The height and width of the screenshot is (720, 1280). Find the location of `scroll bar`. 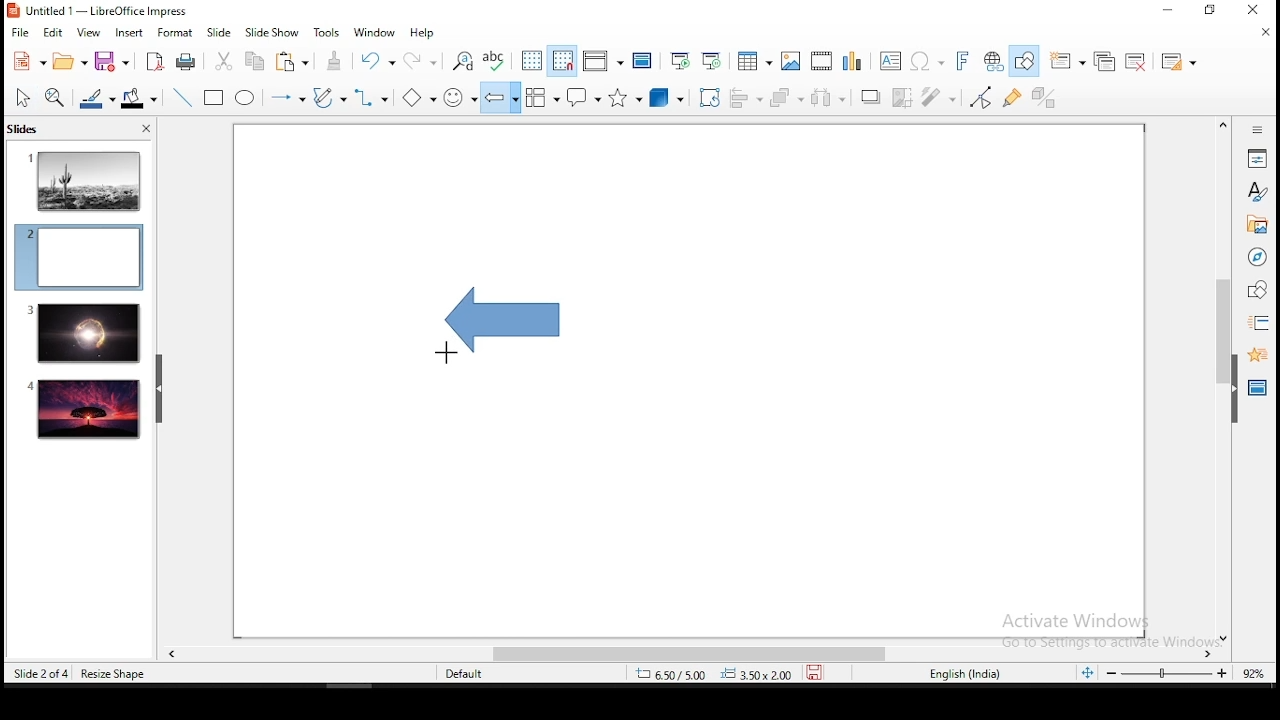

scroll bar is located at coordinates (1220, 380).